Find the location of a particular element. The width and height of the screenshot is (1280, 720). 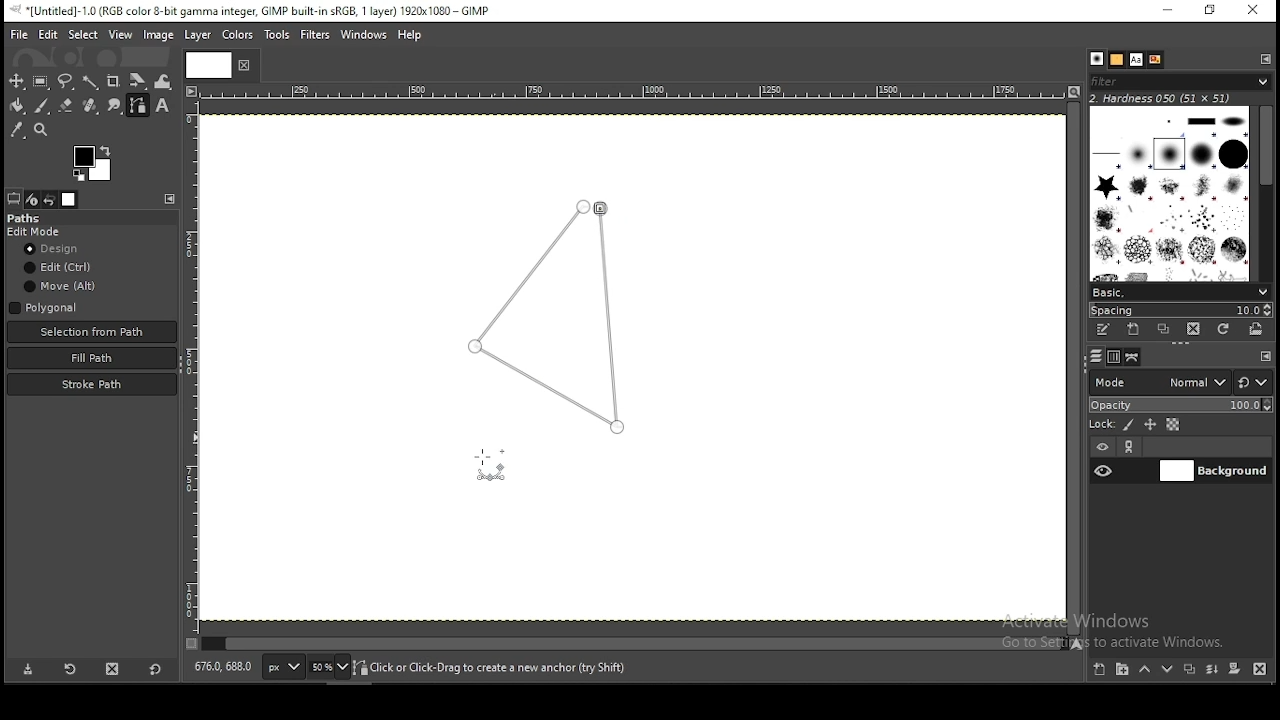

create a new layer group is located at coordinates (1124, 671).